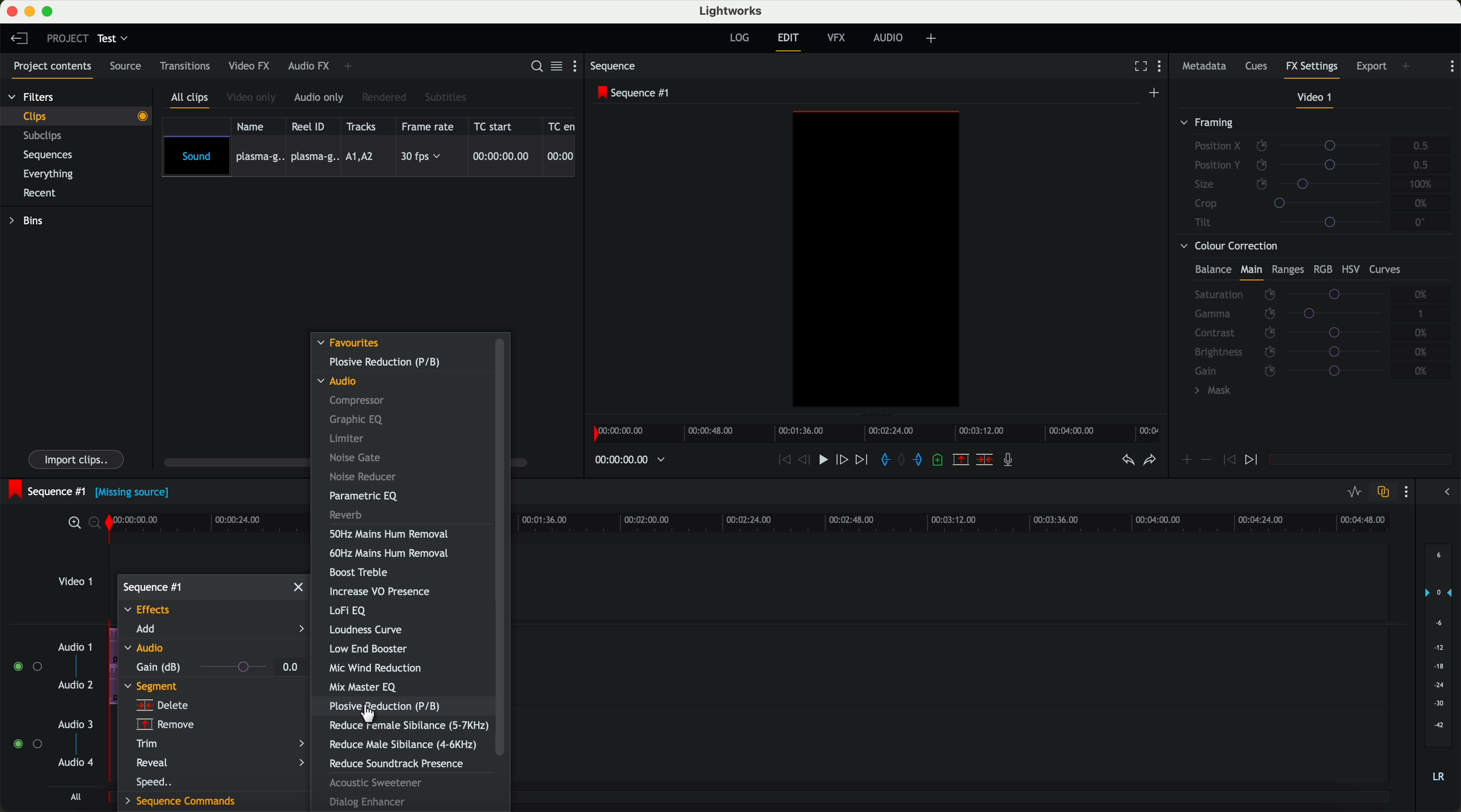  What do you see at coordinates (146, 650) in the screenshot?
I see `audio` at bounding box center [146, 650].